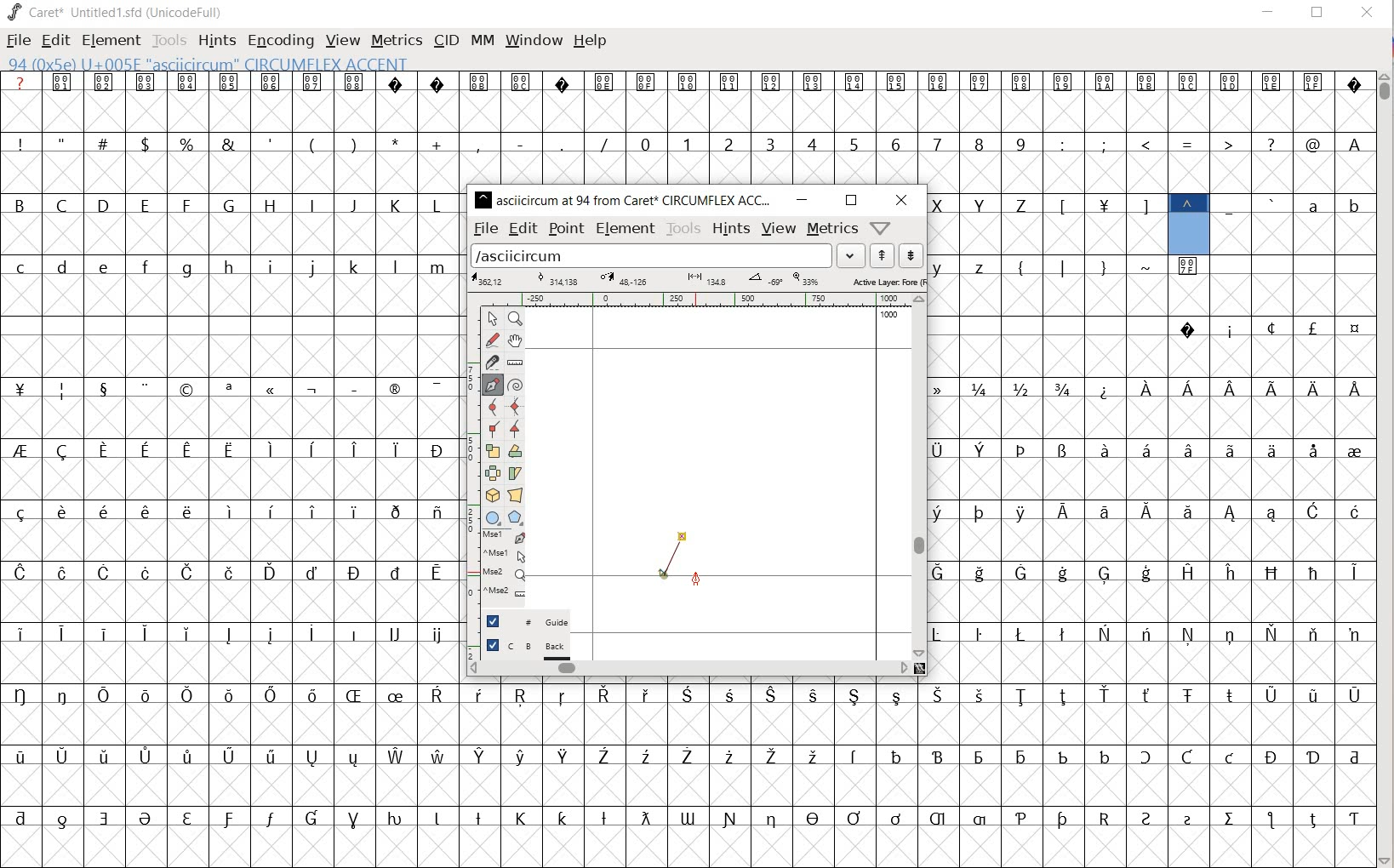  Describe the element at coordinates (910, 254) in the screenshot. I see `show the previous word on the list` at that location.